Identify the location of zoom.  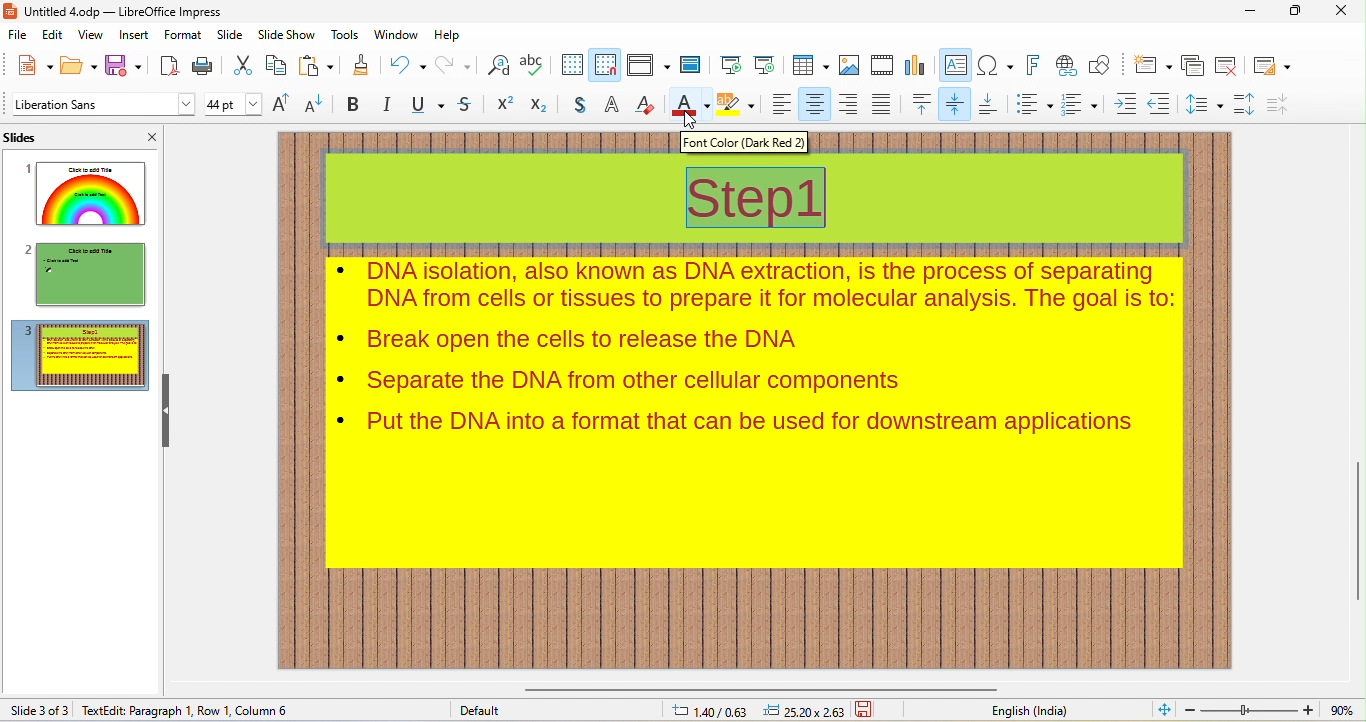
(1272, 709).